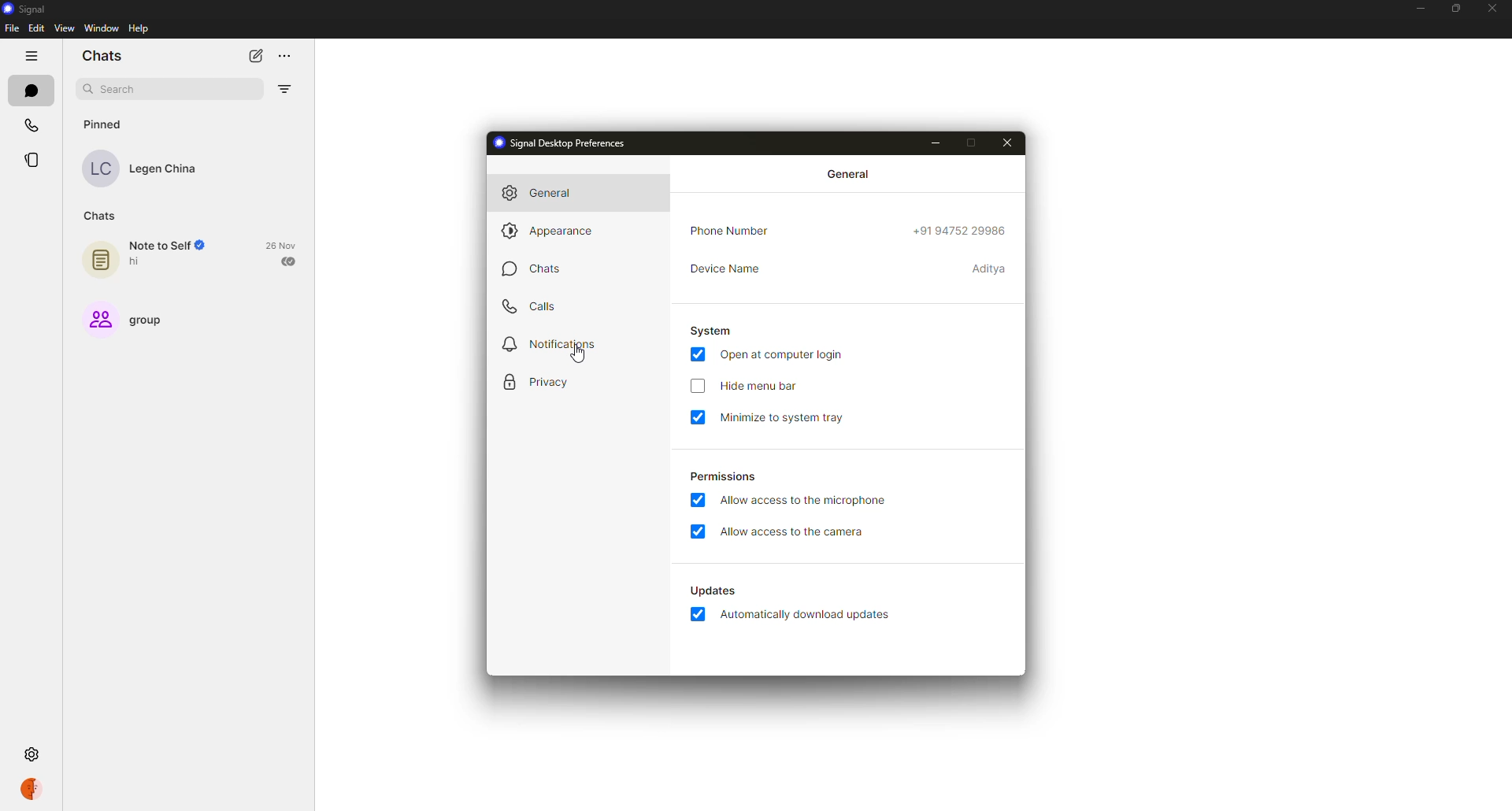 The width and height of the screenshot is (1512, 811). Describe the element at coordinates (796, 531) in the screenshot. I see `allow access to camera` at that location.